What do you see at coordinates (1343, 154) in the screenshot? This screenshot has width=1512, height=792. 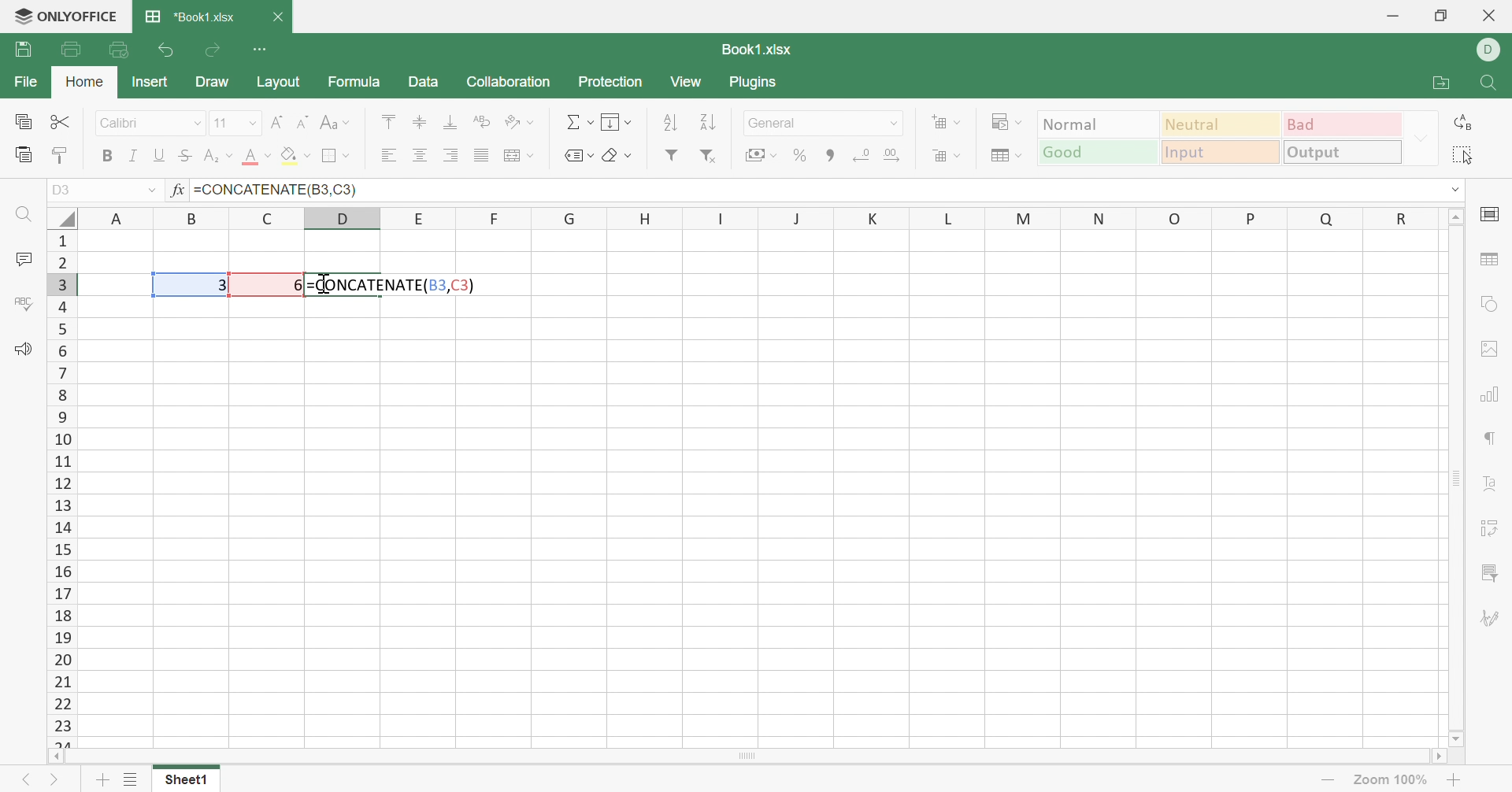 I see `Output` at bounding box center [1343, 154].